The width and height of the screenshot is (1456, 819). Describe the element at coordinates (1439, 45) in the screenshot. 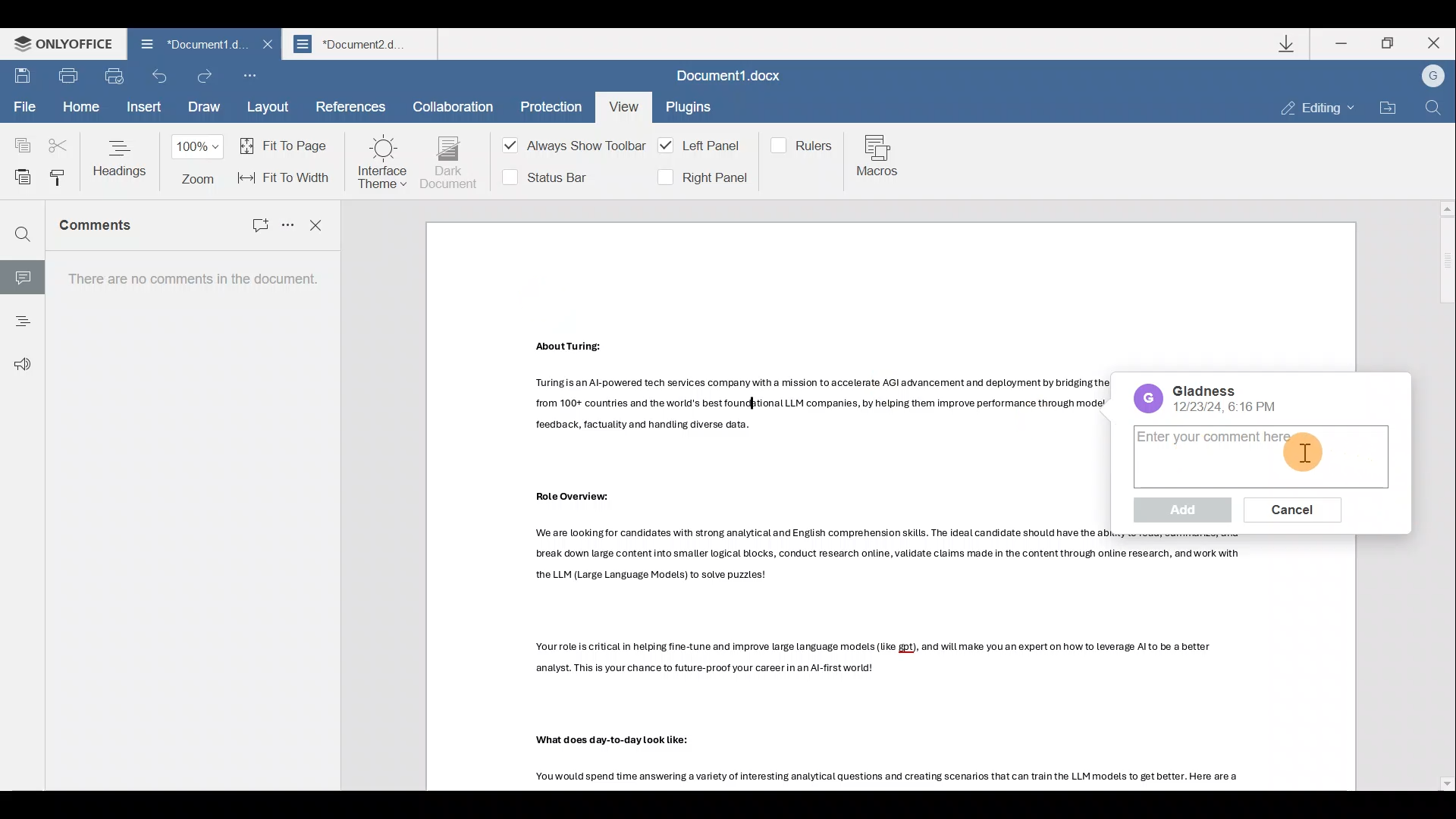

I see `Close` at that location.